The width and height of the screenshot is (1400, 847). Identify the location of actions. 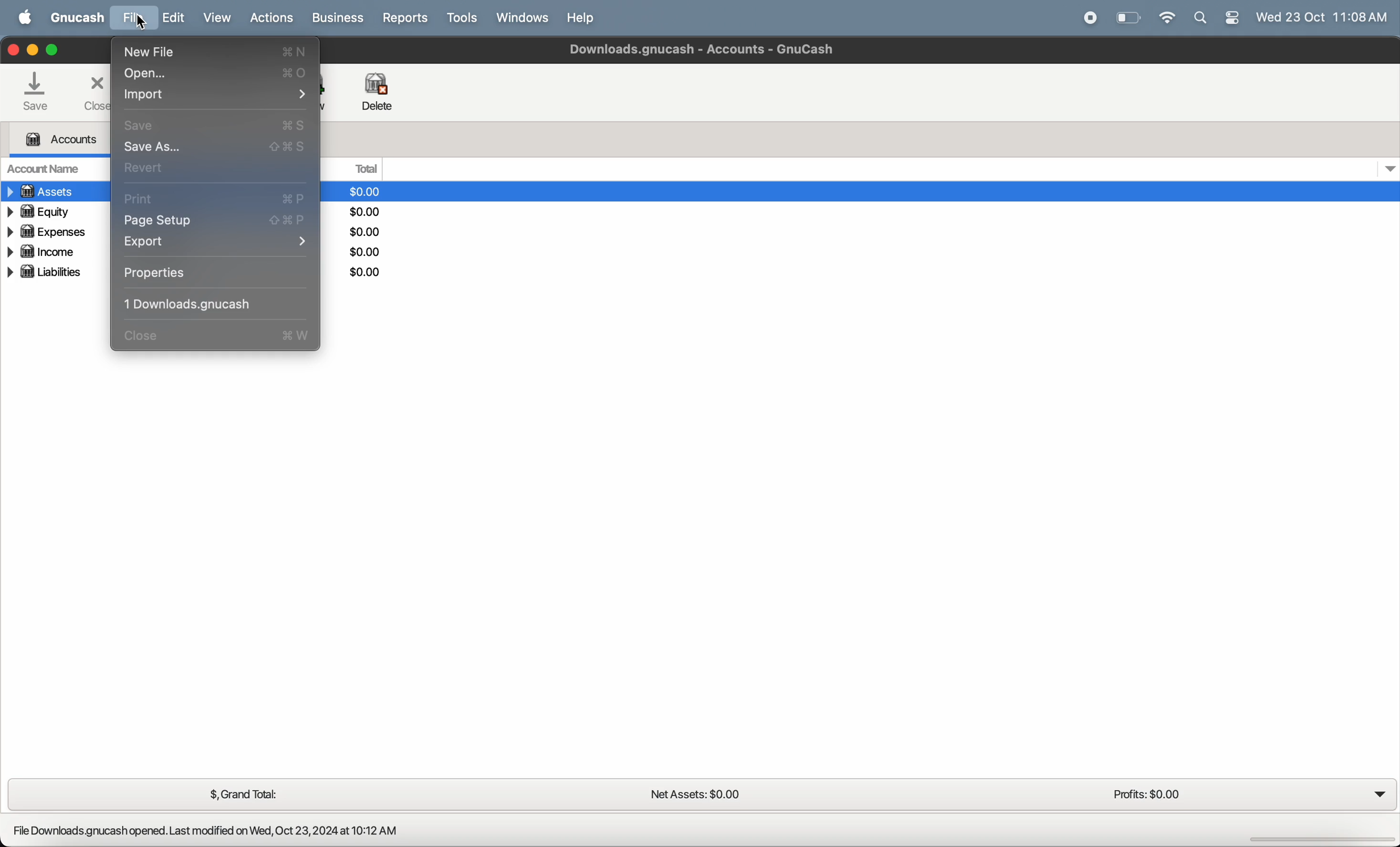
(267, 18).